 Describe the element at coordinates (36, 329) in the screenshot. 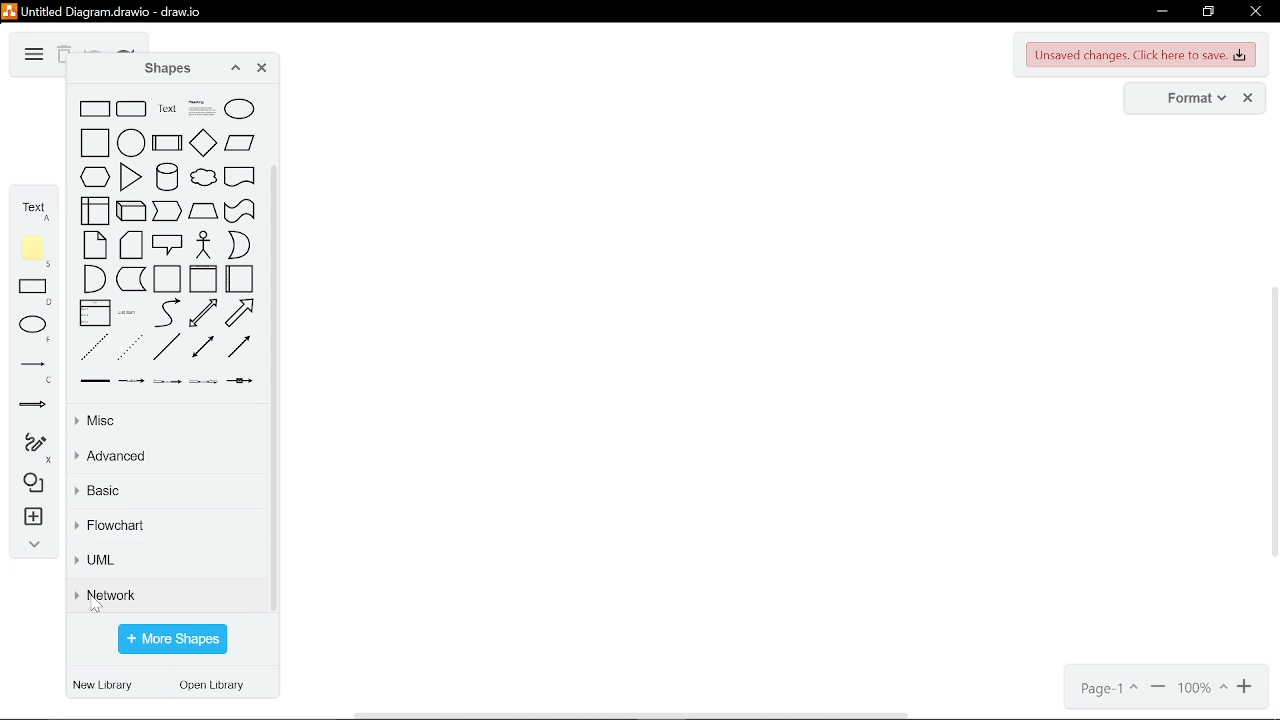

I see `ellipse` at that location.